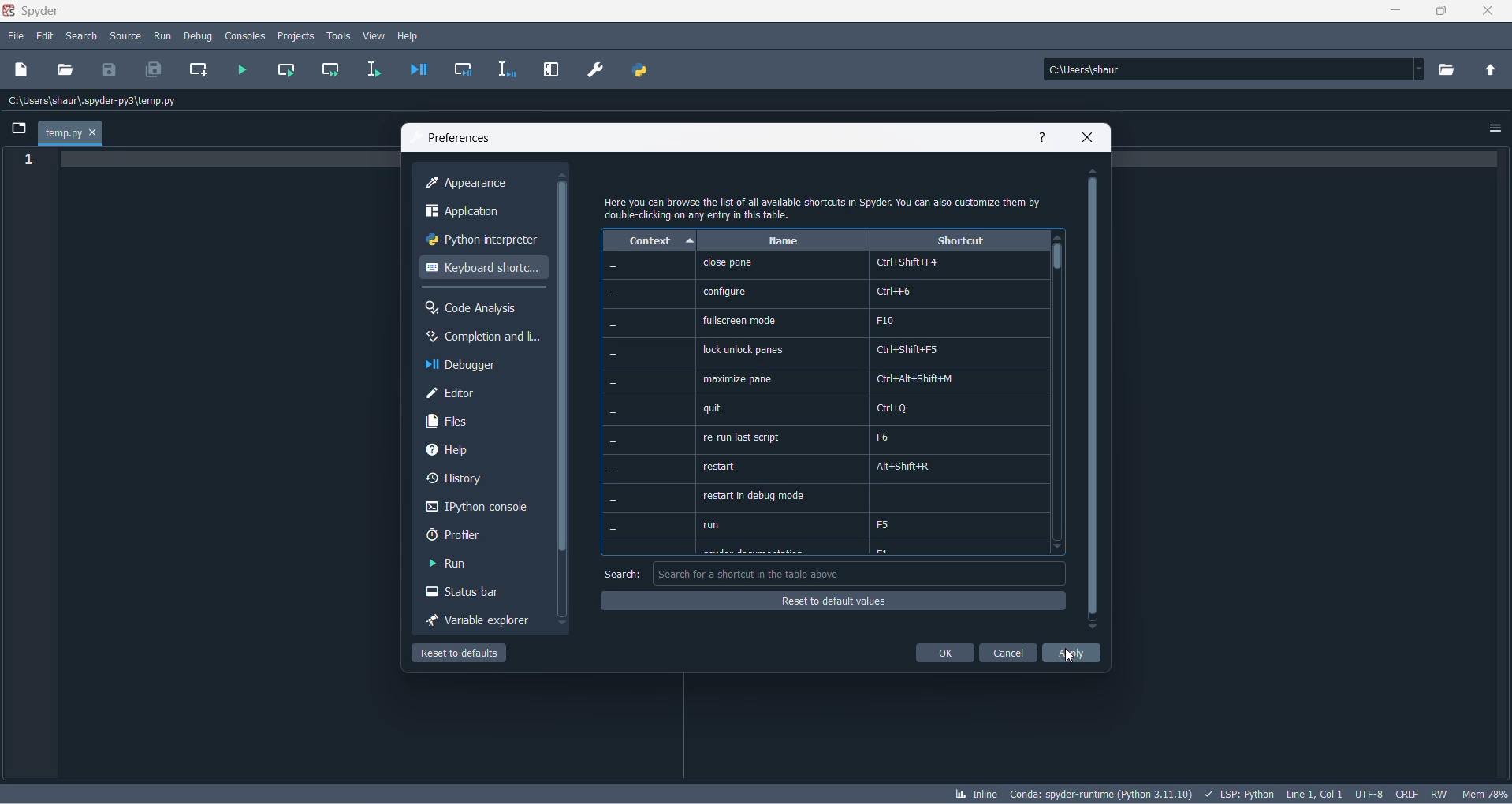  I want to click on spyder version, so click(1104, 791).